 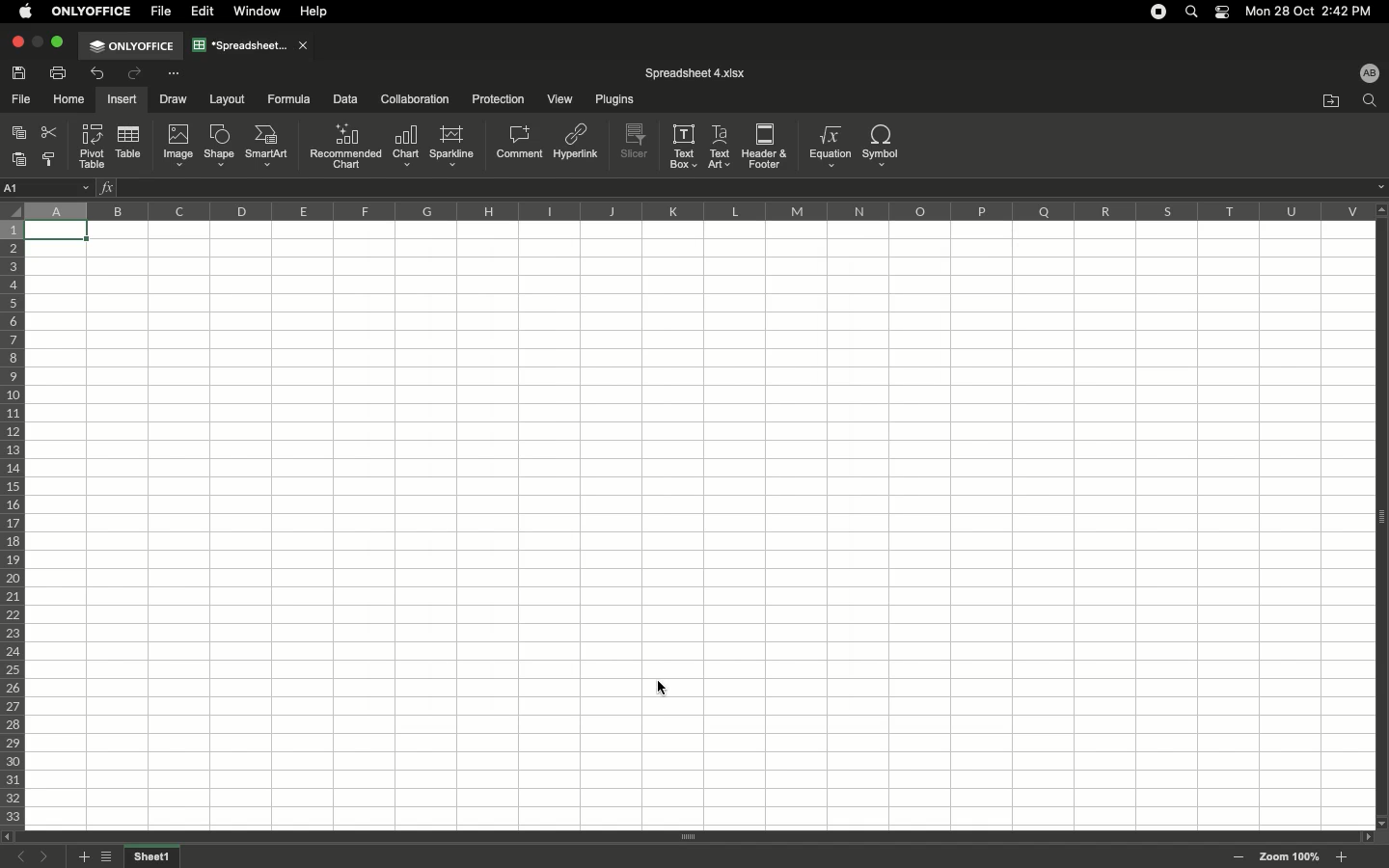 What do you see at coordinates (1364, 837) in the screenshot?
I see `scroll right` at bounding box center [1364, 837].